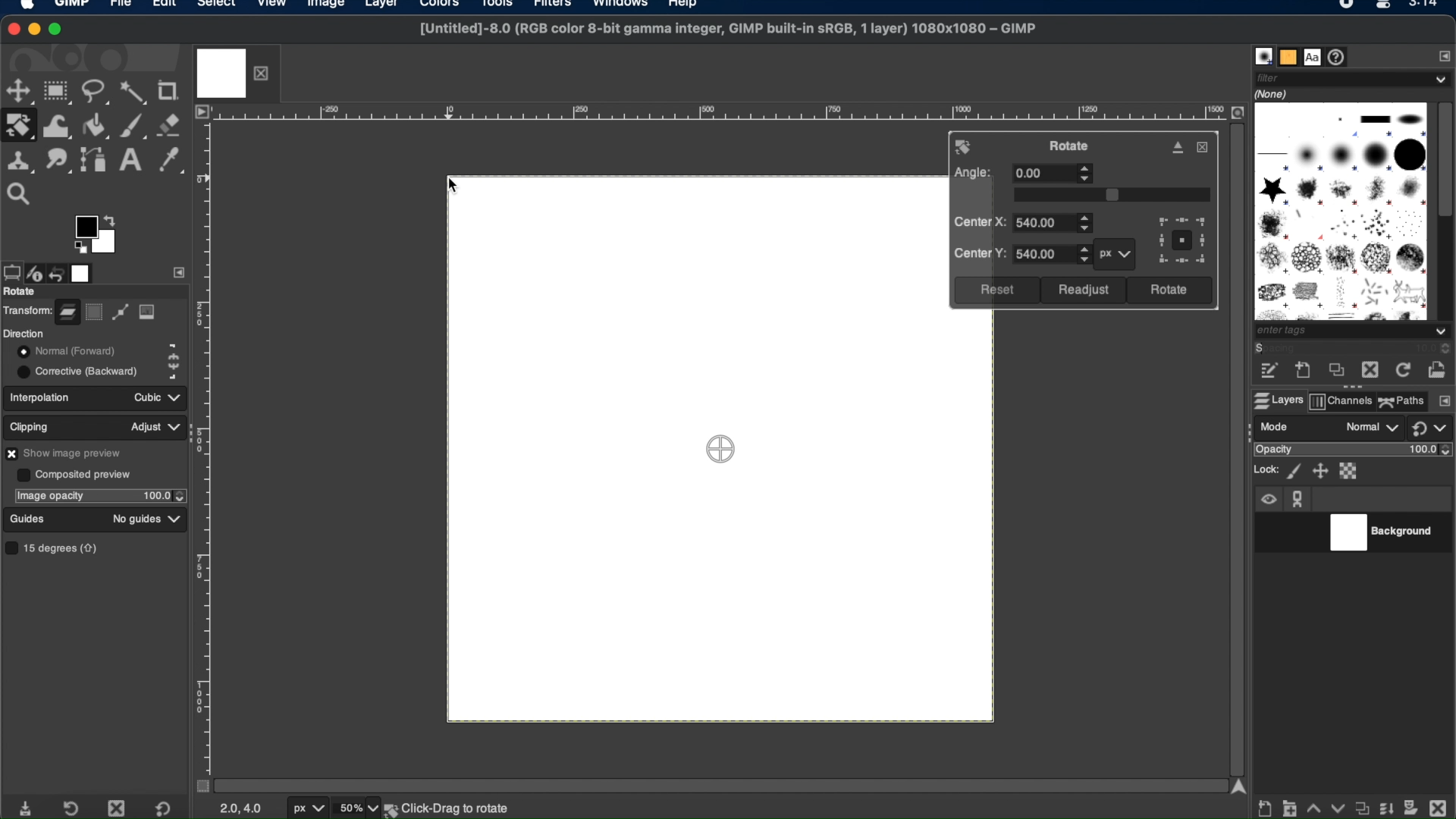  What do you see at coordinates (221, 72) in the screenshot?
I see `image tab` at bounding box center [221, 72].